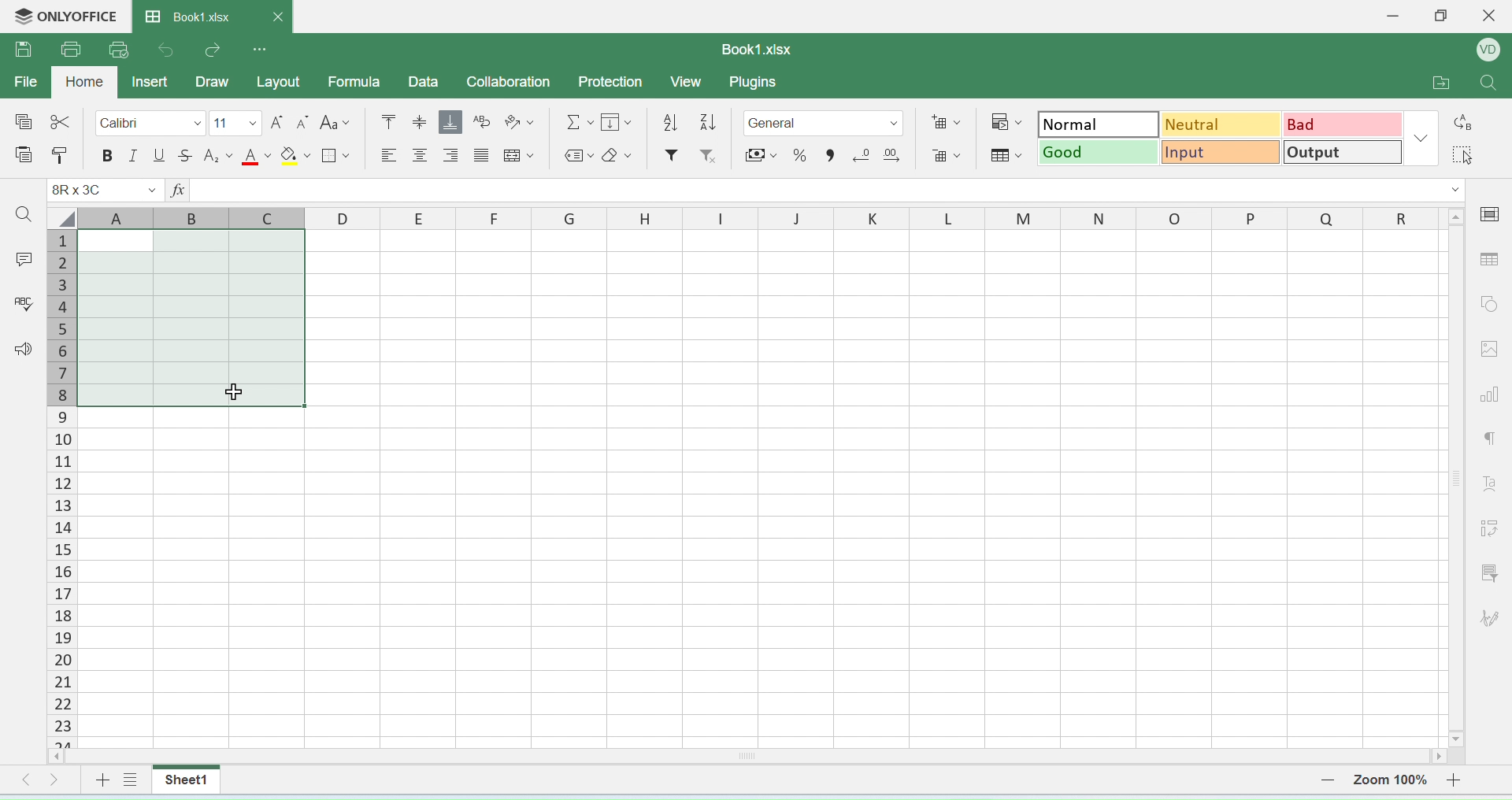  What do you see at coordinates (60, 490) in the screenshot?
I see `columns number` at bounding box center [60, 490].